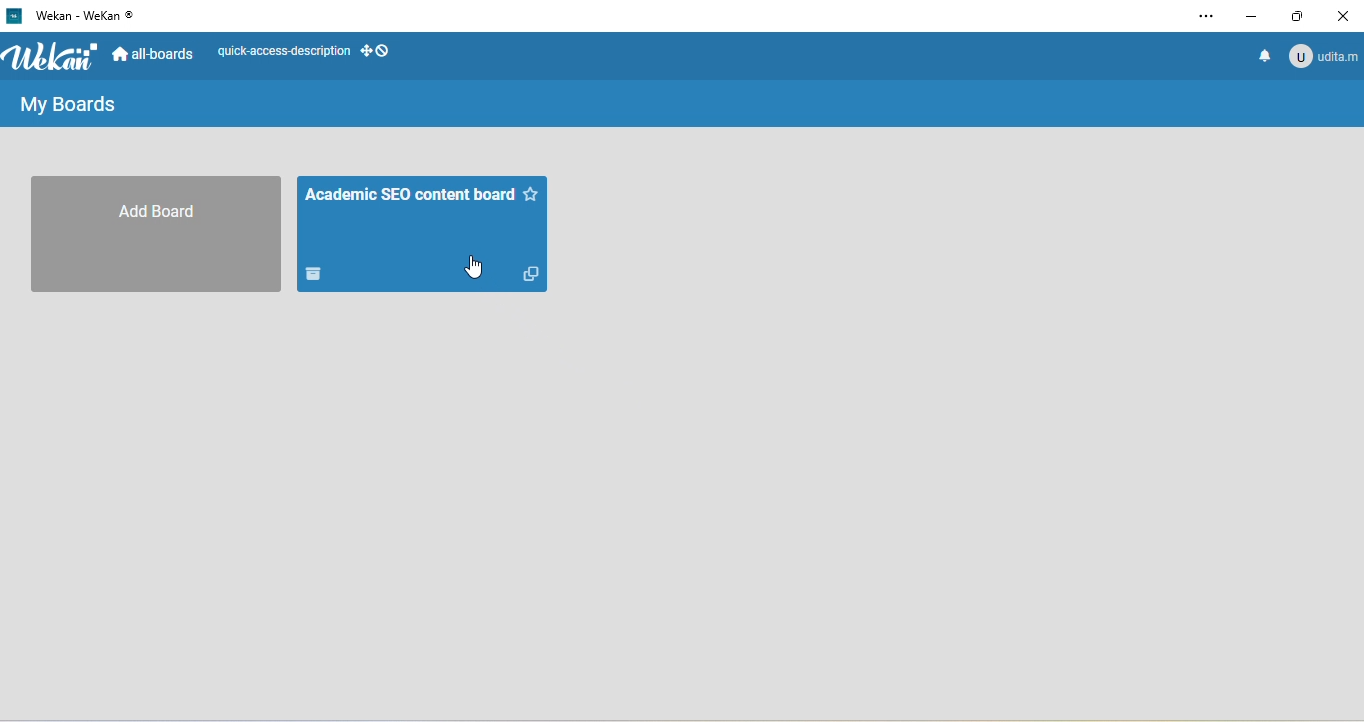  Describe the element at coordinates (531, 194) in the screenshot. I see `star this board` at that location.